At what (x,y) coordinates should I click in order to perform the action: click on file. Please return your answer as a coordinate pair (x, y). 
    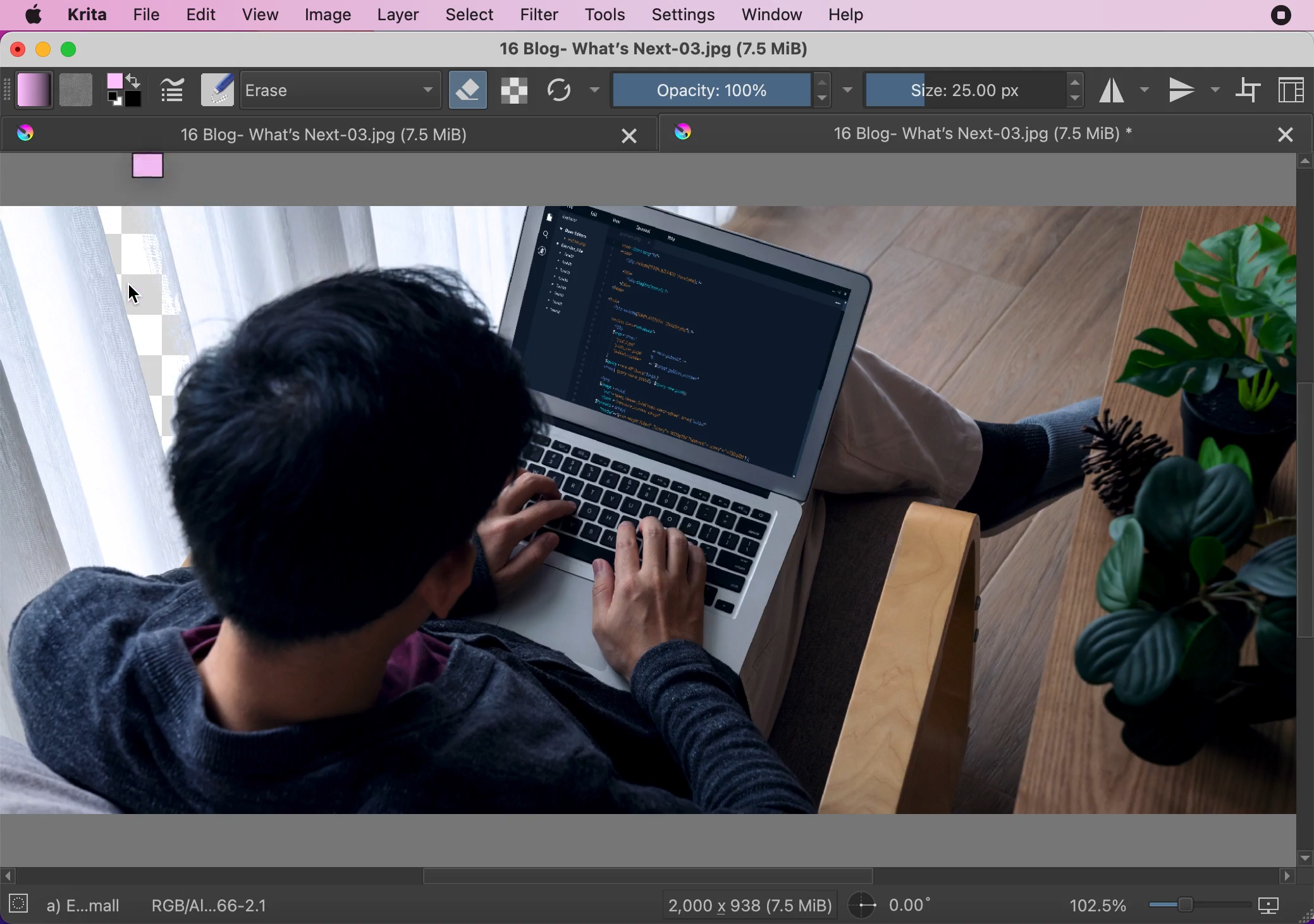
    Looking at the image, I should click on (147, 14).